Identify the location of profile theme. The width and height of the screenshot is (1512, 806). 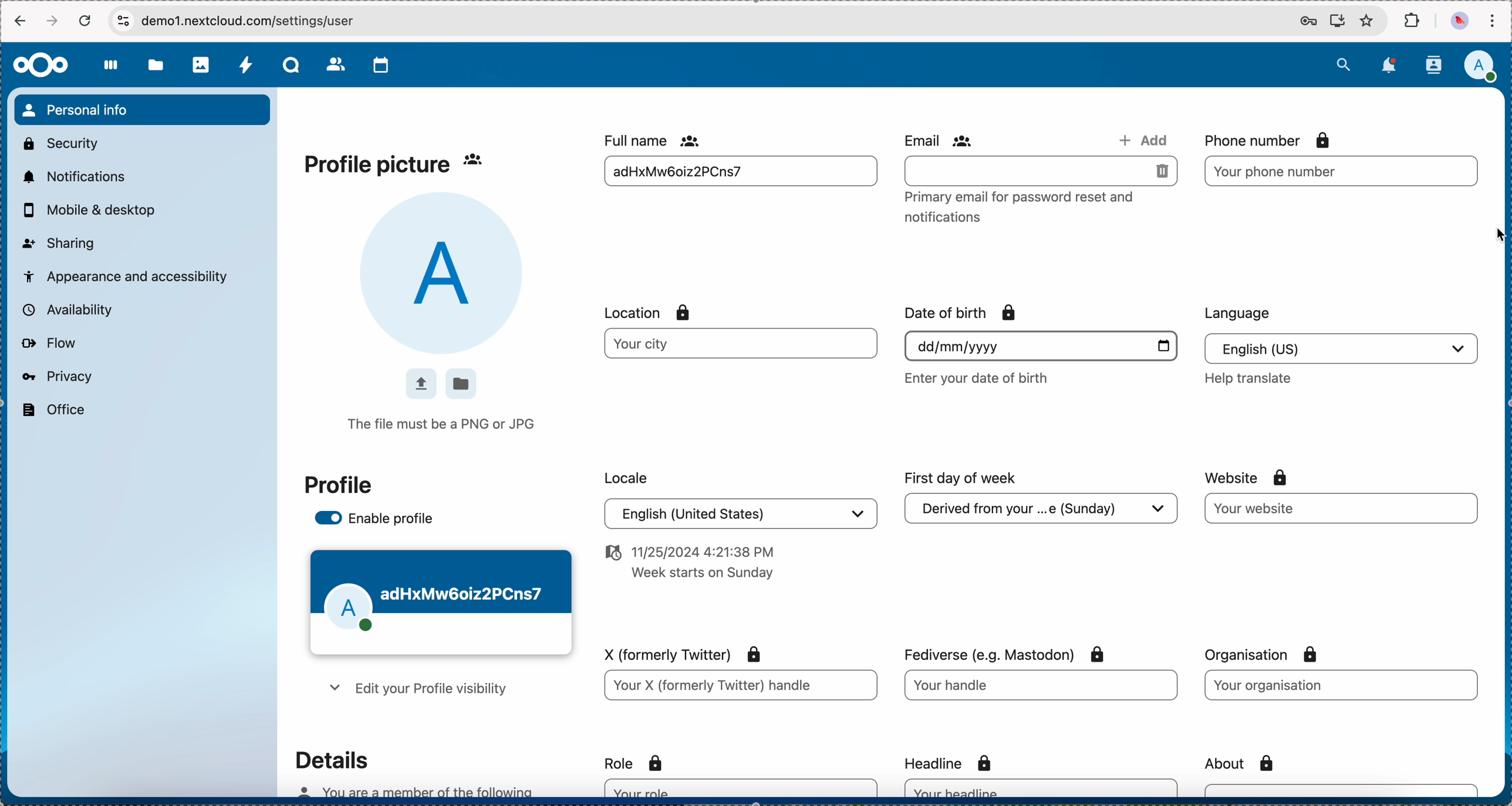
(442, 603).